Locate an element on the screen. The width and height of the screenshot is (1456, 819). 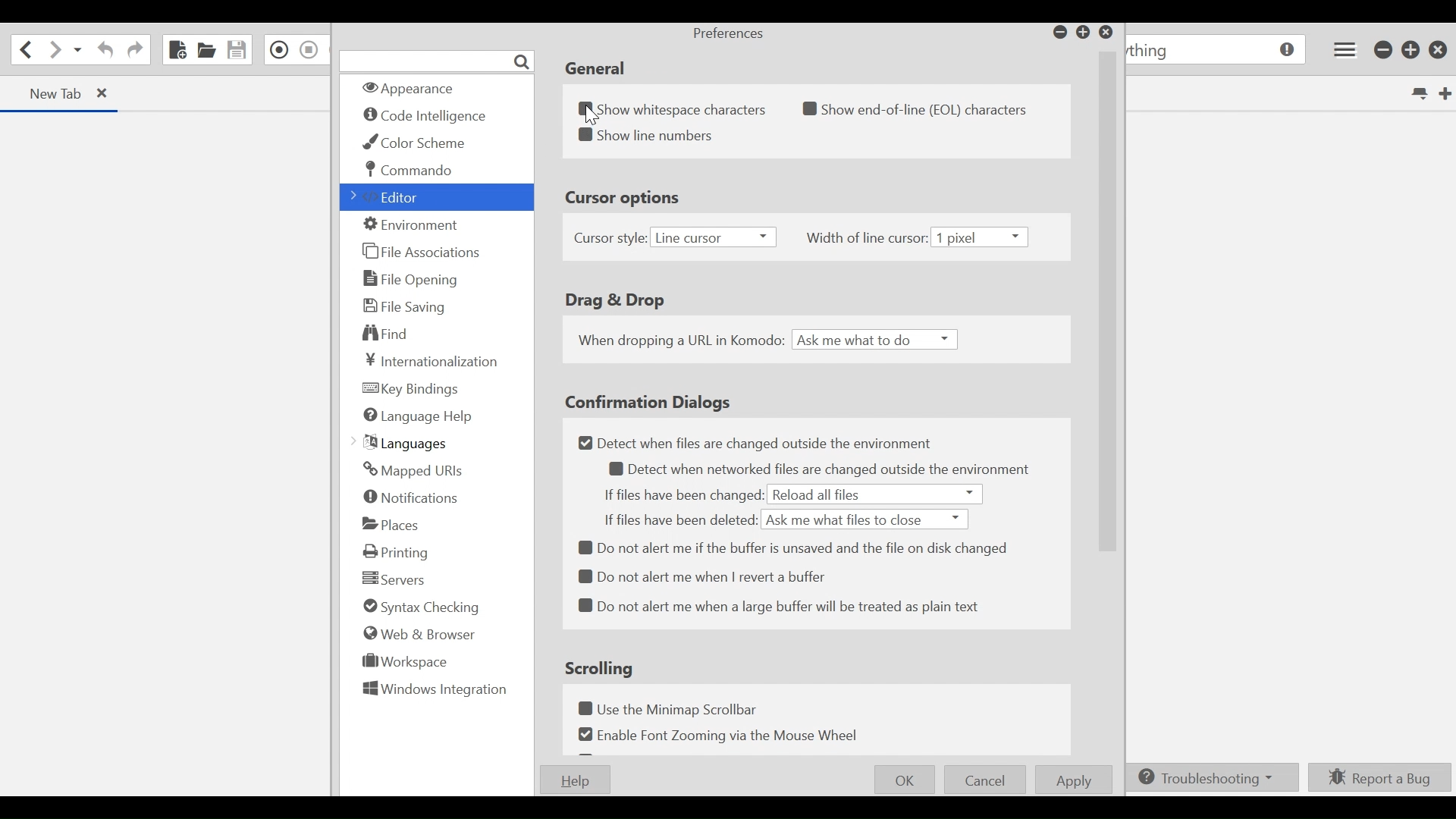
File Opening is located at coordinates (408, 280).